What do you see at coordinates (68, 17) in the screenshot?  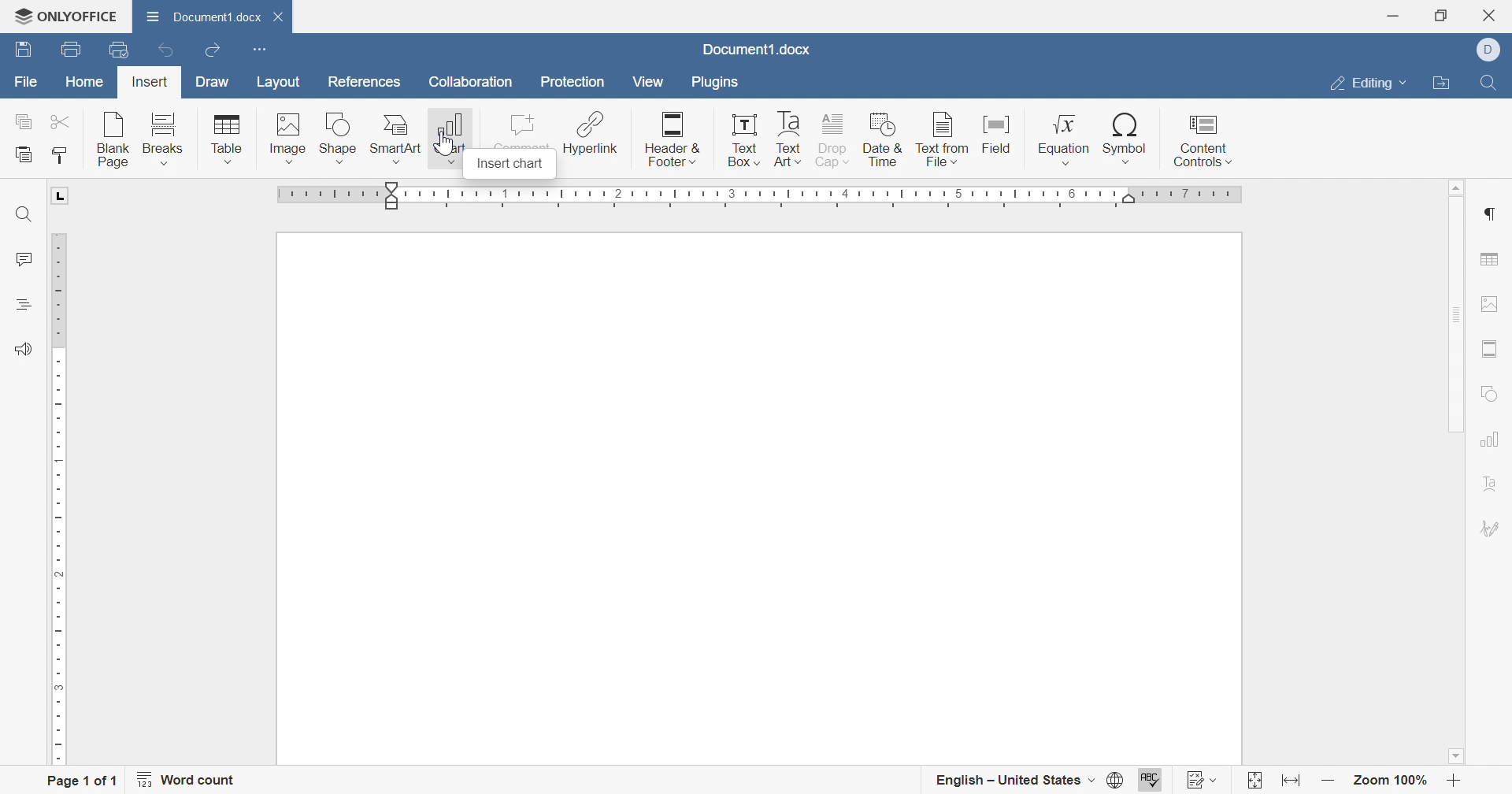 I see `ONLYOFFICE` at bounding box center [68, 17].